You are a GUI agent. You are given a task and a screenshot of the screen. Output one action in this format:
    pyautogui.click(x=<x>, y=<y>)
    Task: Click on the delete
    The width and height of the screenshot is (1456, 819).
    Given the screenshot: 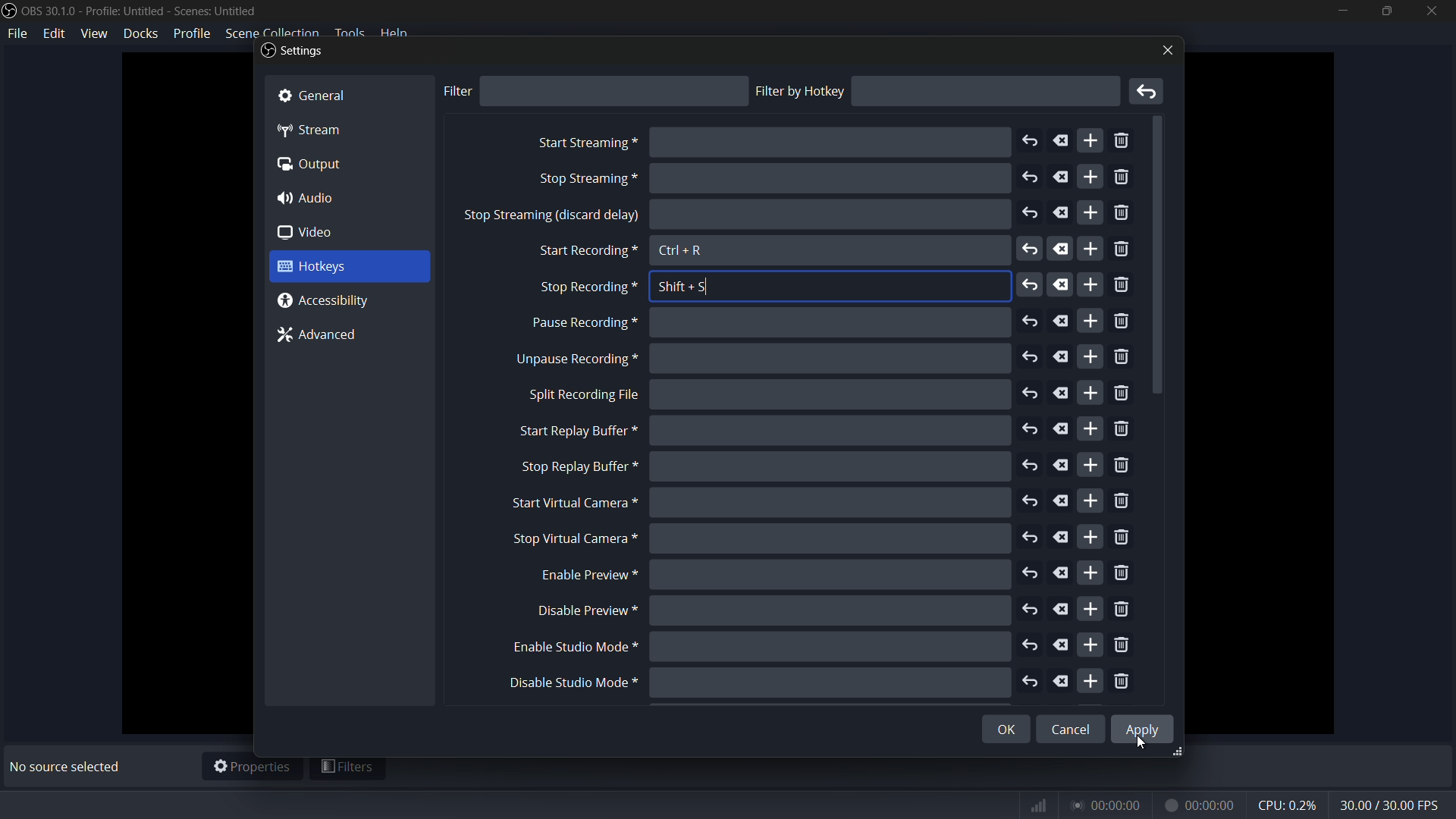 What is the action you would take?
    pyautogui.click(x=1062, y=394)
    